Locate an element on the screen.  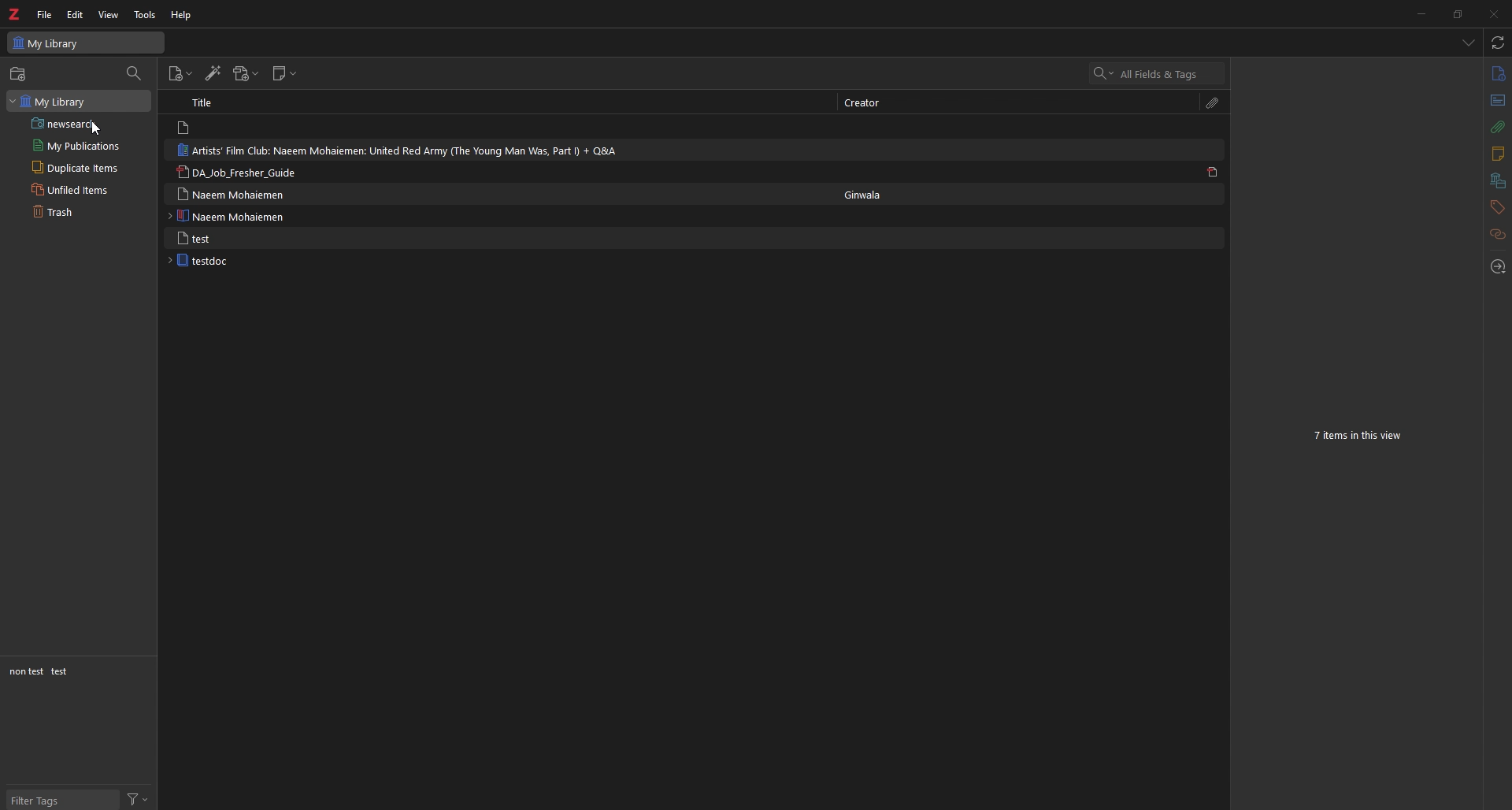
List all tabs is located at coordinates (1466, 40).